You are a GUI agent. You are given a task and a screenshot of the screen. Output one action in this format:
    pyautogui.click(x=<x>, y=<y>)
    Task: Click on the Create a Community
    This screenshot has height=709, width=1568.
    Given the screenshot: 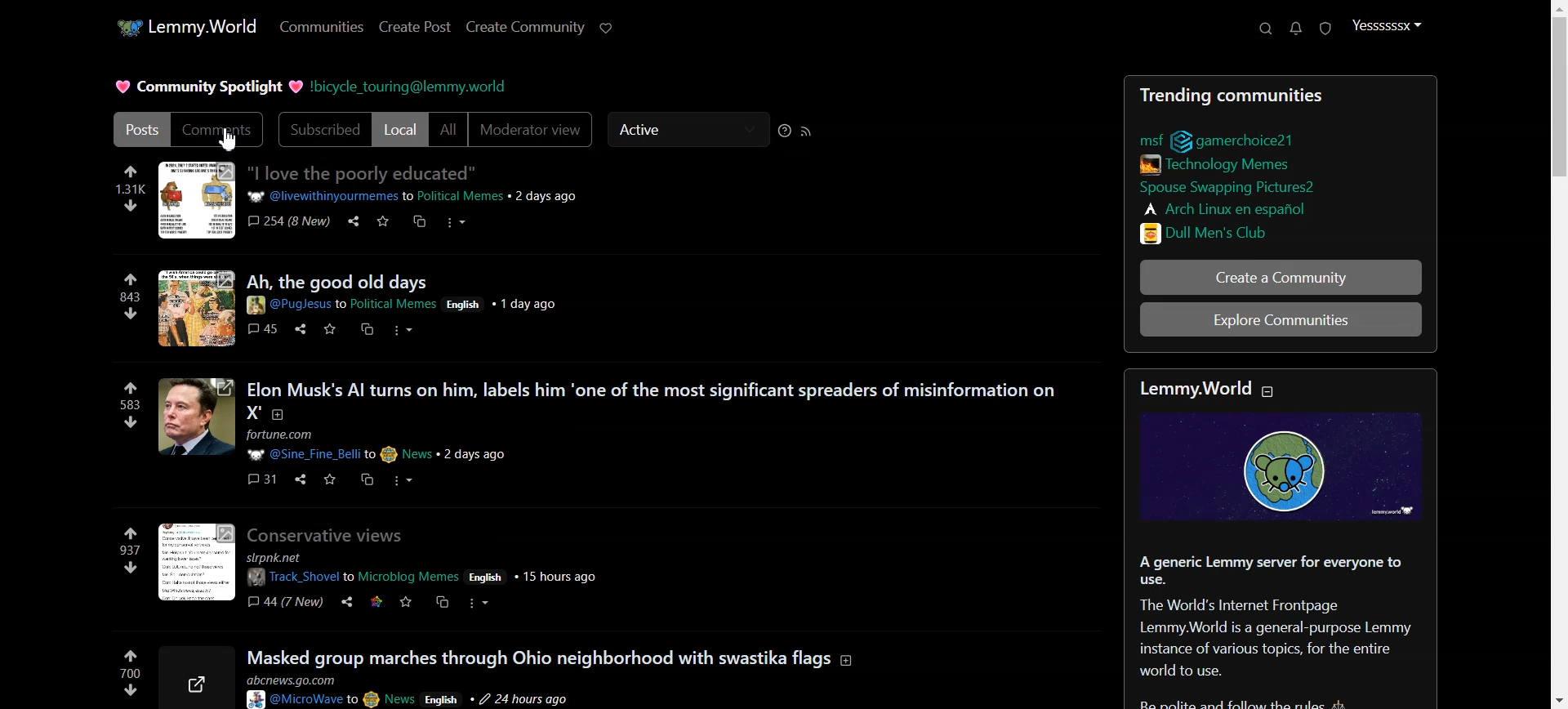 What is the action you would take?
    pyautogui.click(x=1280, y=278)
    